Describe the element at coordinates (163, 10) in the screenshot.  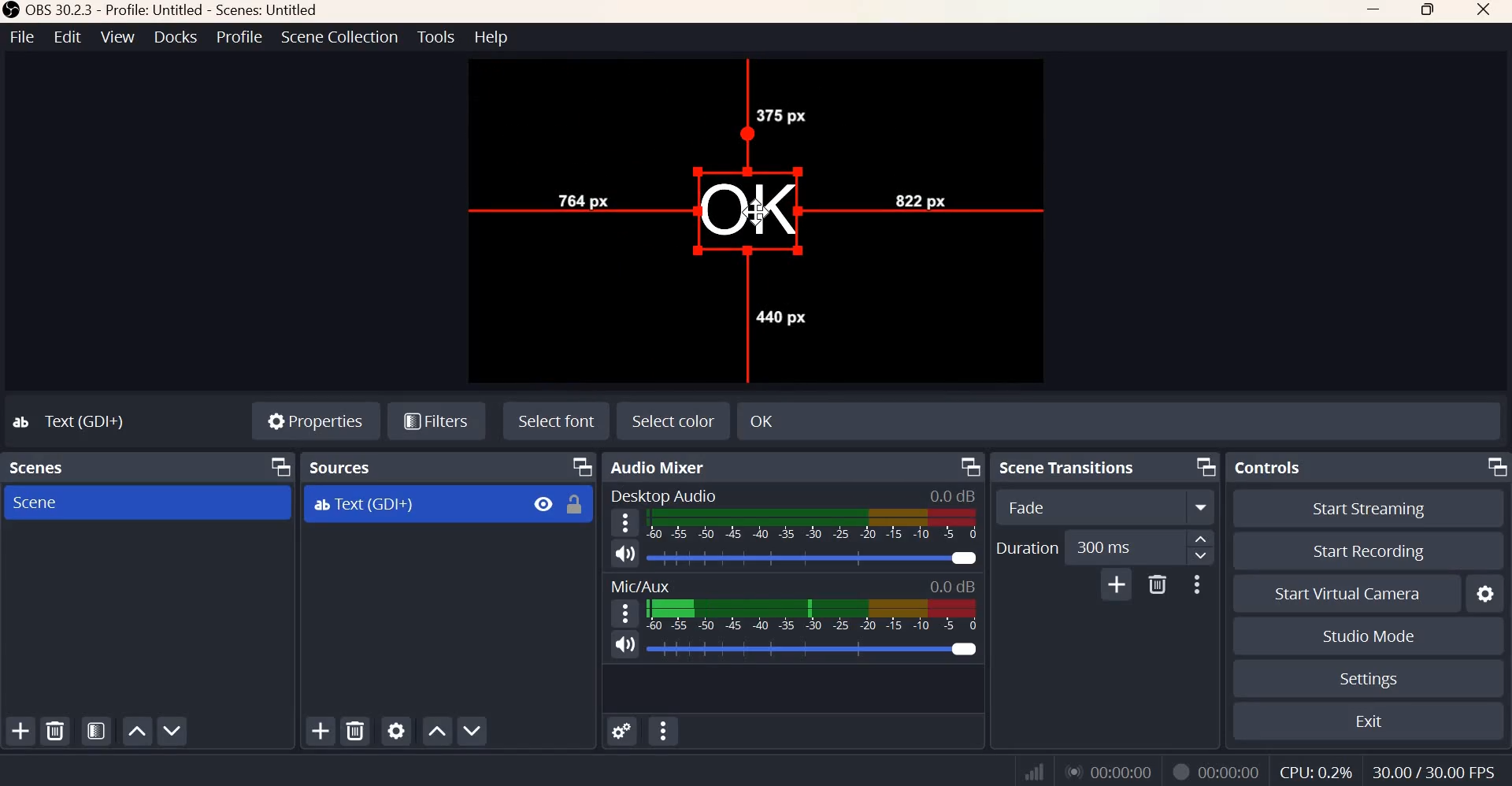
I see `OBS 30.2.3 - Profile: Untitled - Scenes: Untitled` at that location.